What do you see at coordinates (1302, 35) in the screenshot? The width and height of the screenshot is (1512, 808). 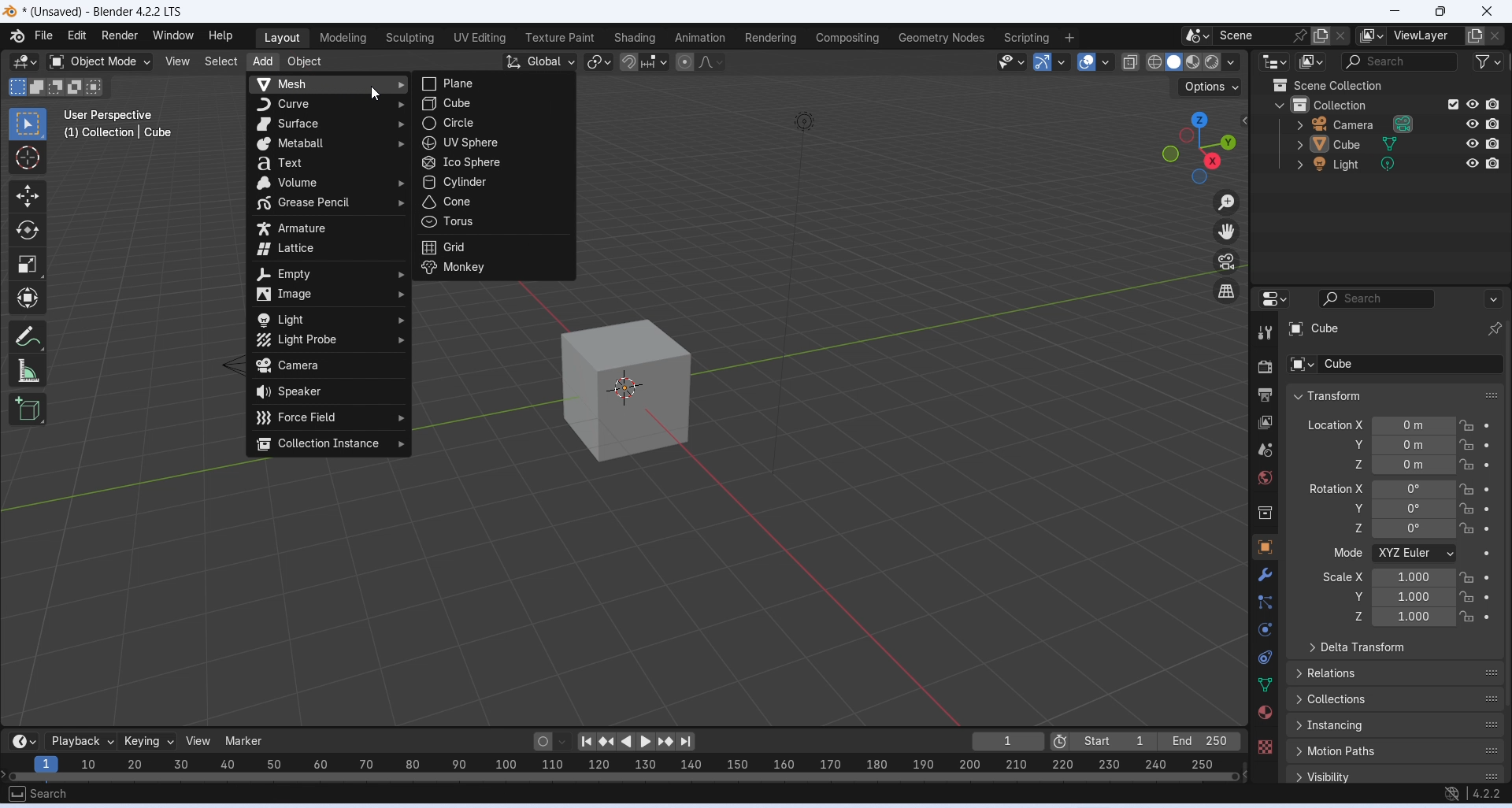 I see `pin scene` at bounding box center [1302, 35].